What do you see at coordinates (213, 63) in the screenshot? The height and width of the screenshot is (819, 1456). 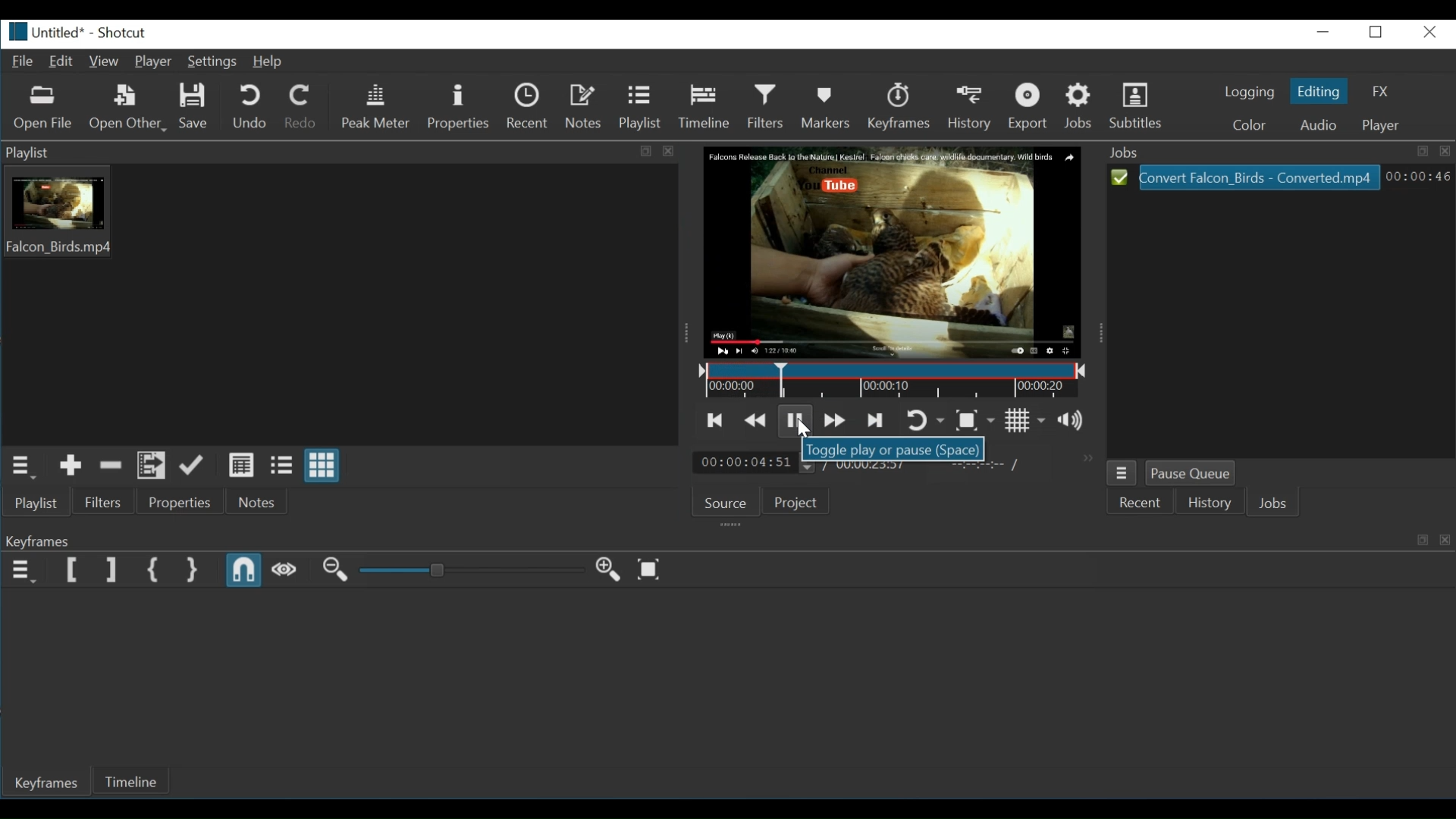 I see `Settings` at bounding box center [213, 63].